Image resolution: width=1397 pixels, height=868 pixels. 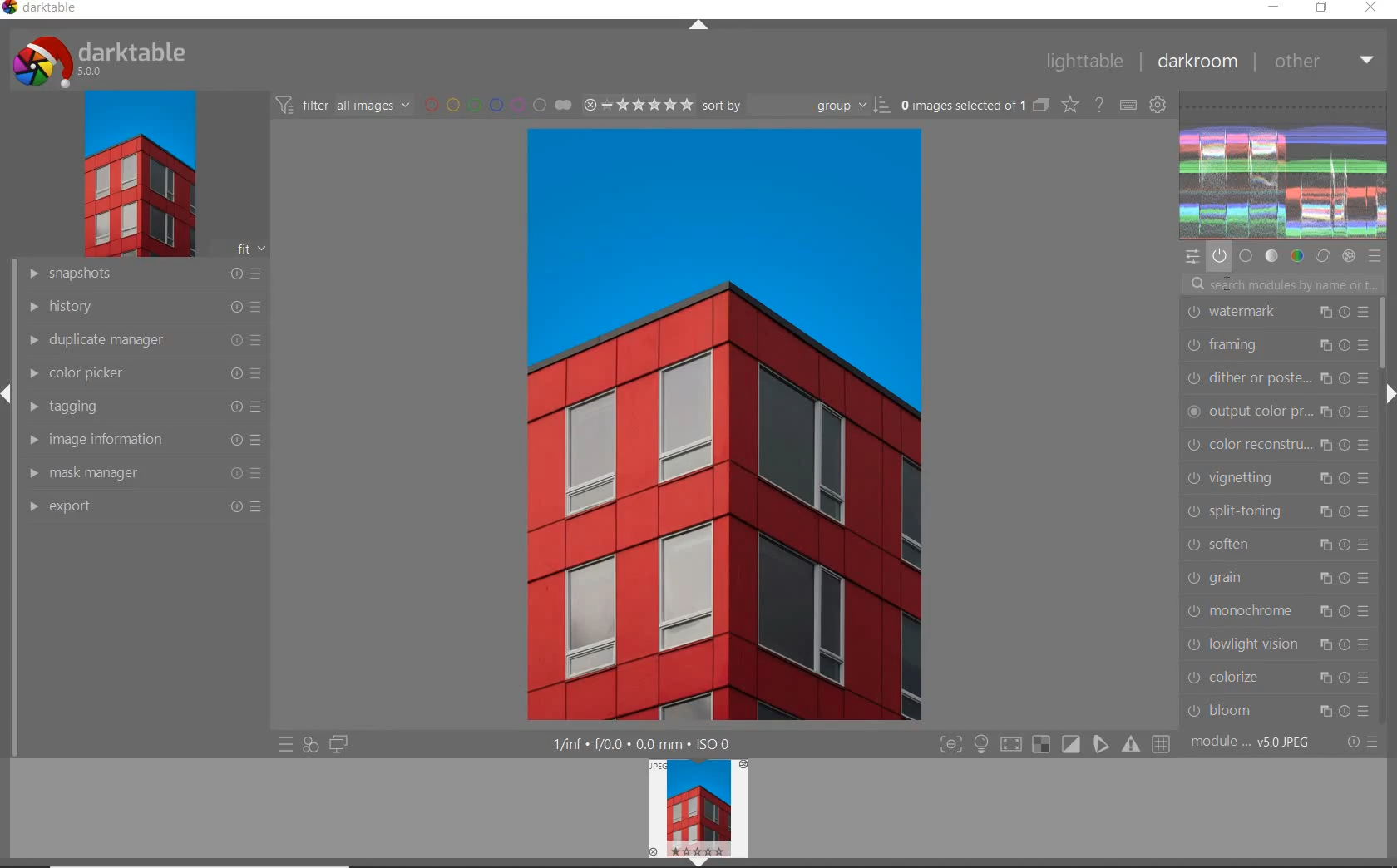 What do you see at coordinates (1278, 379) in the screenshot?
I see `dither or paste` at bounding box center [1278, 379].